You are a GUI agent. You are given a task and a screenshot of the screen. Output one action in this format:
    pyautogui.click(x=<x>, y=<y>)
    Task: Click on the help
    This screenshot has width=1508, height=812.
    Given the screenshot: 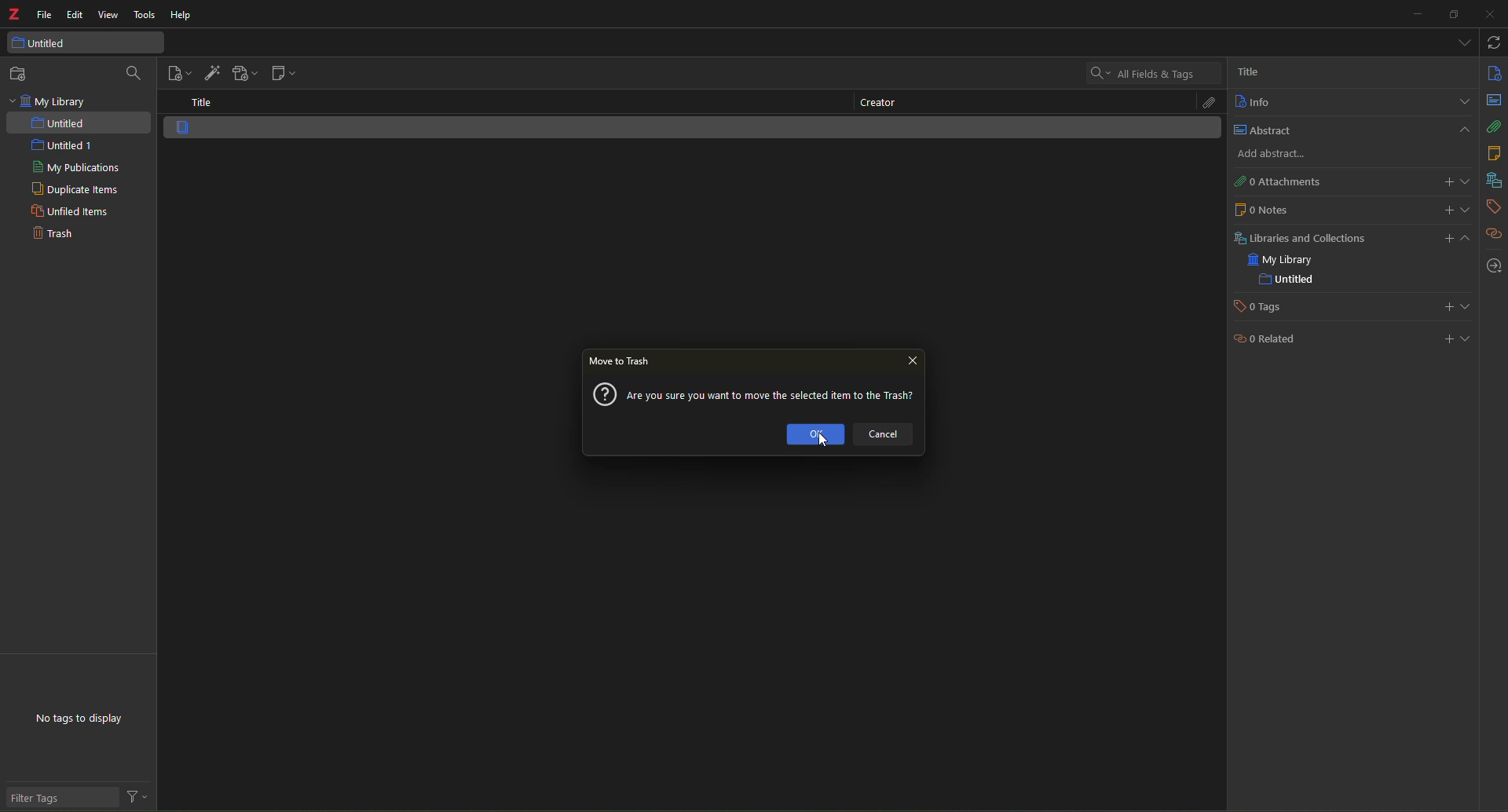 What is the action you would take?
    pyautogui.click(x=179, y=16)
    